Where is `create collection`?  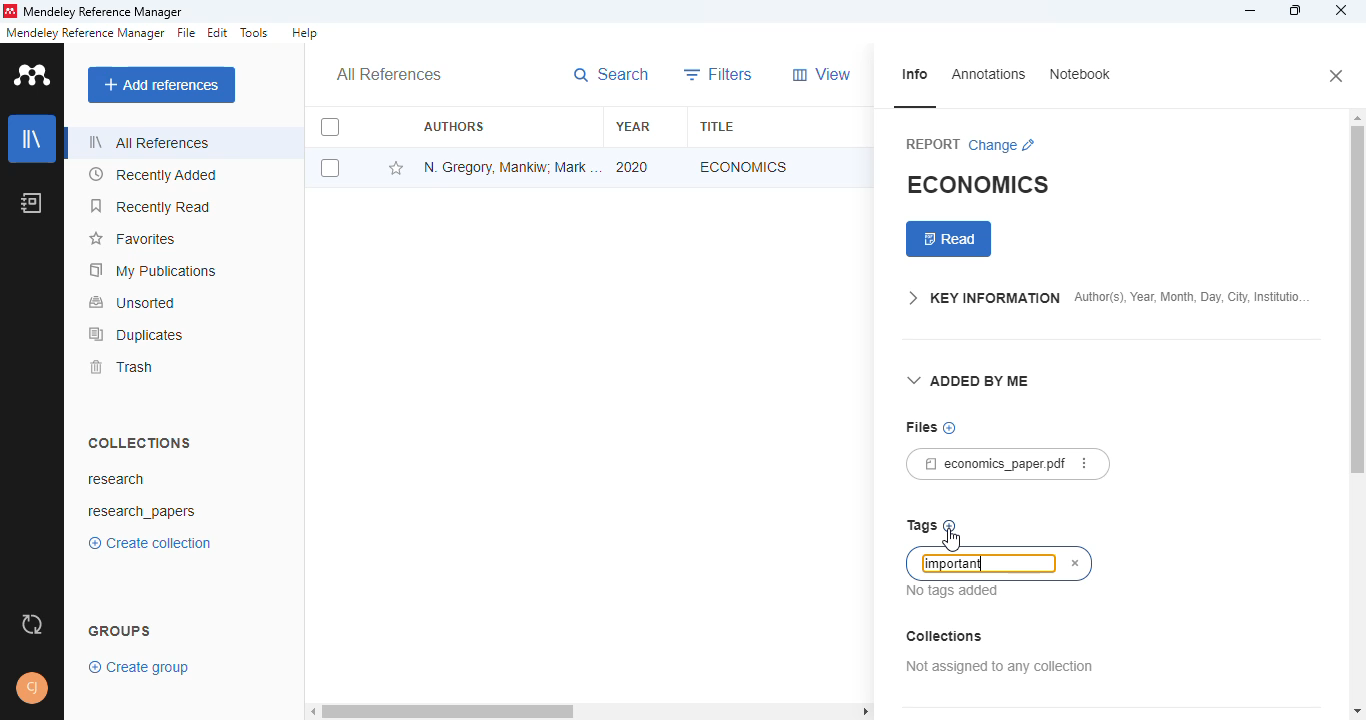
create collection is located at coordinates (149, 543).